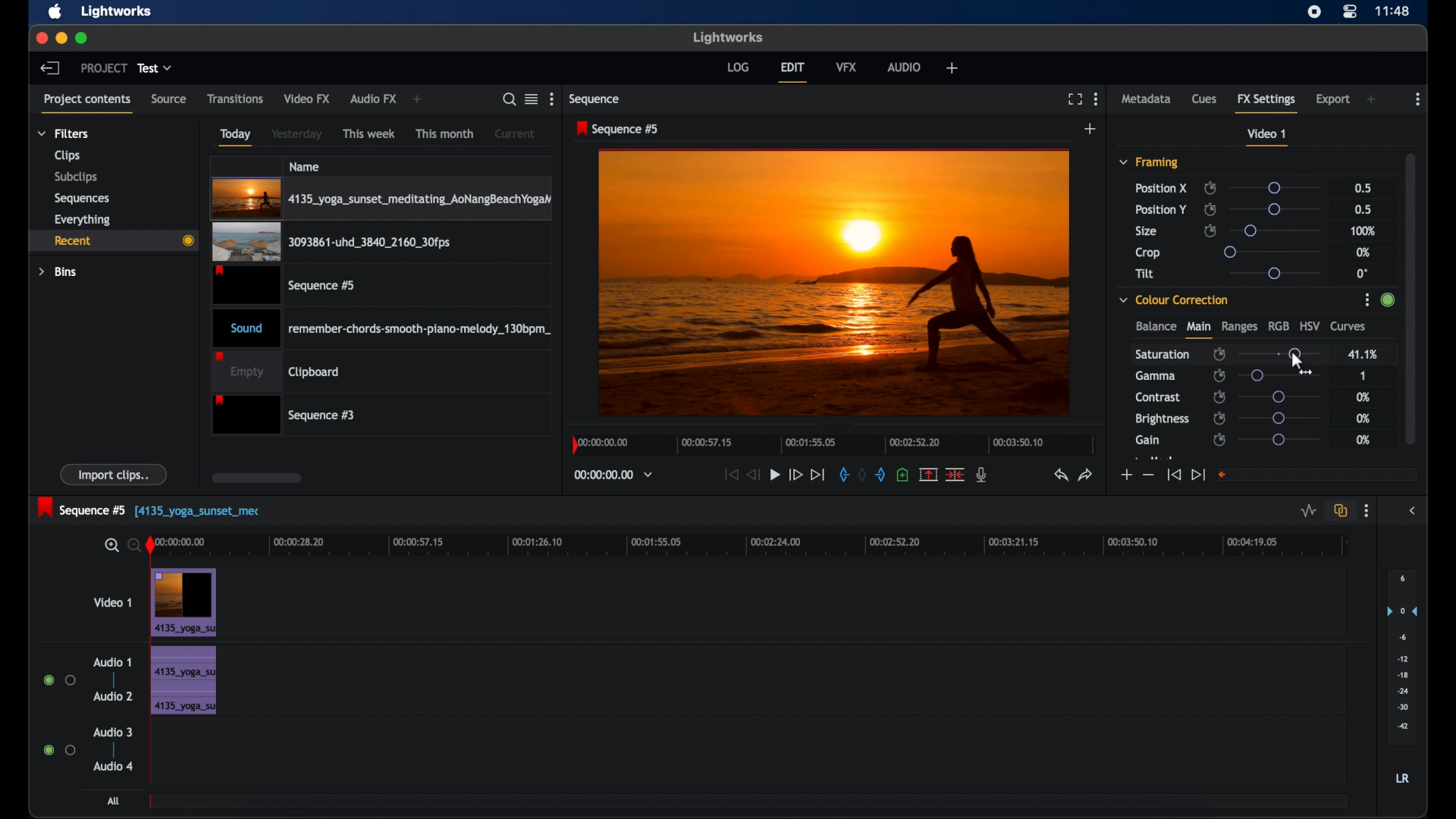 This screenshot has height=819, width=1456. What do you see at coordinates (1310, 325) in the screenshot?
I see `hsv` at bounding box center [1310, 325].